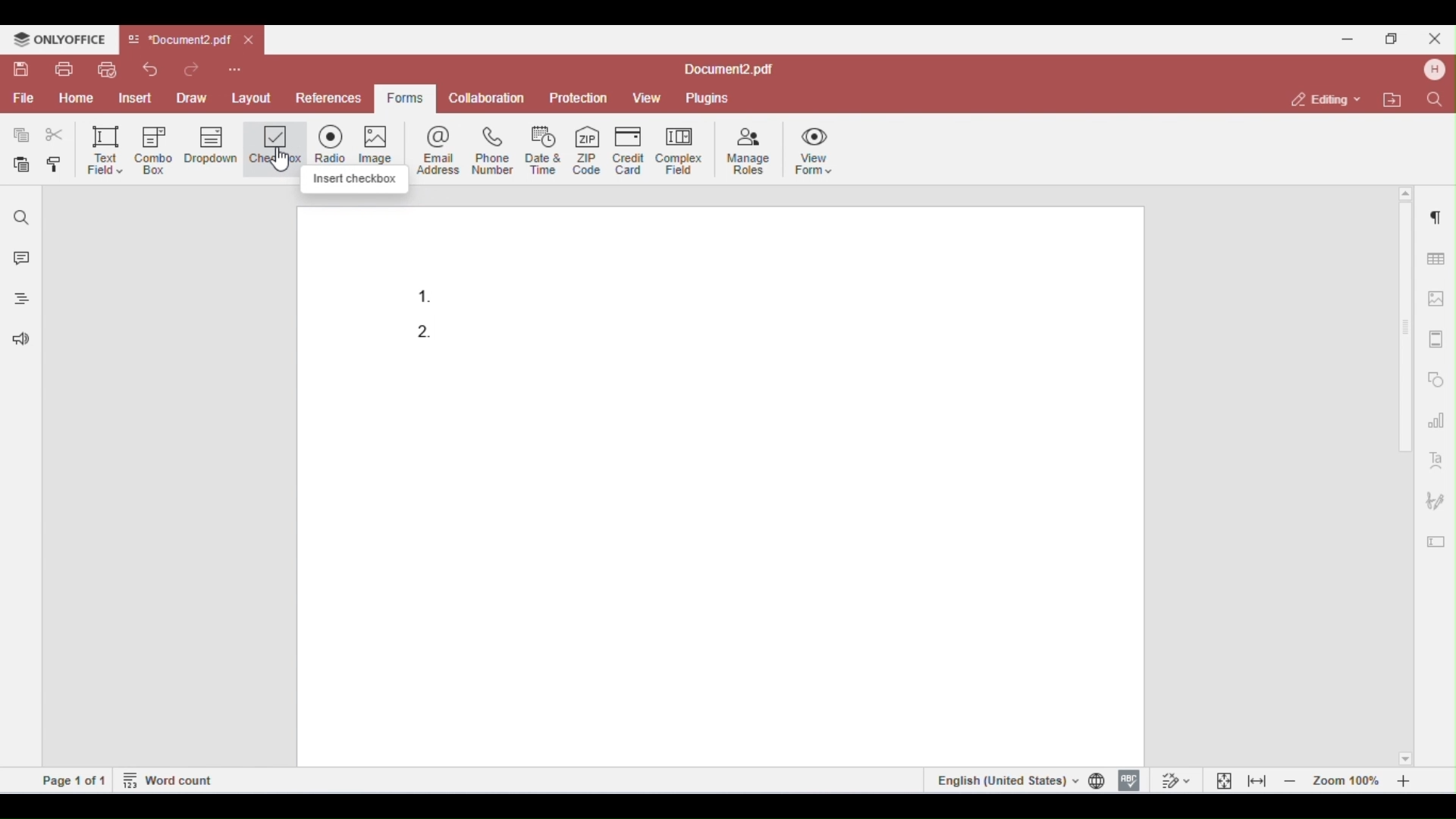 This screenshot has height=819, width=1456. Describe the element at coordinates (179, 40) in the screenshot. I see `tab name` at that location.